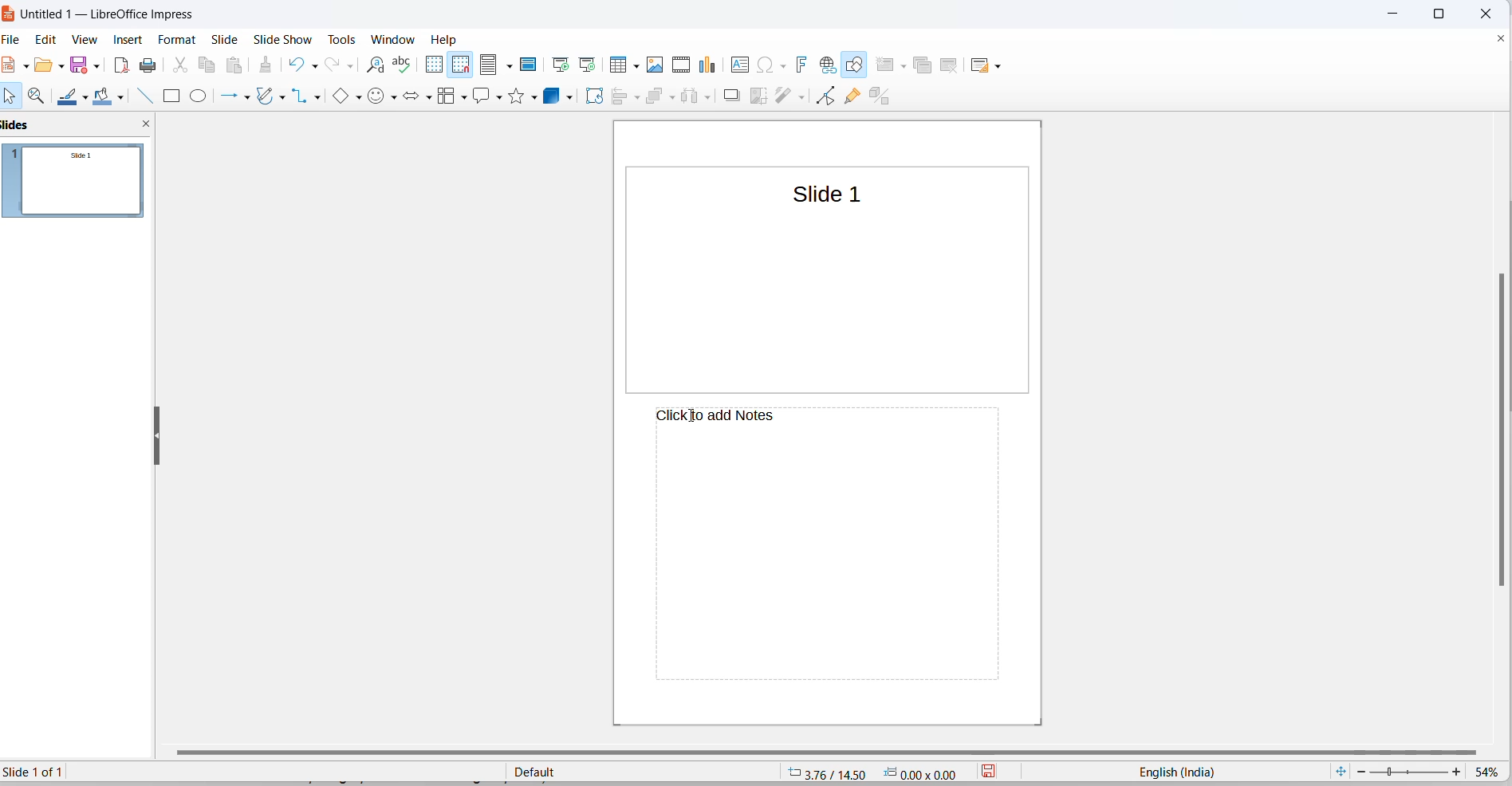 The height and width of the screenshot is (786, 1512). I want to click on toggle endpoint edit mode, so click(826, 97).